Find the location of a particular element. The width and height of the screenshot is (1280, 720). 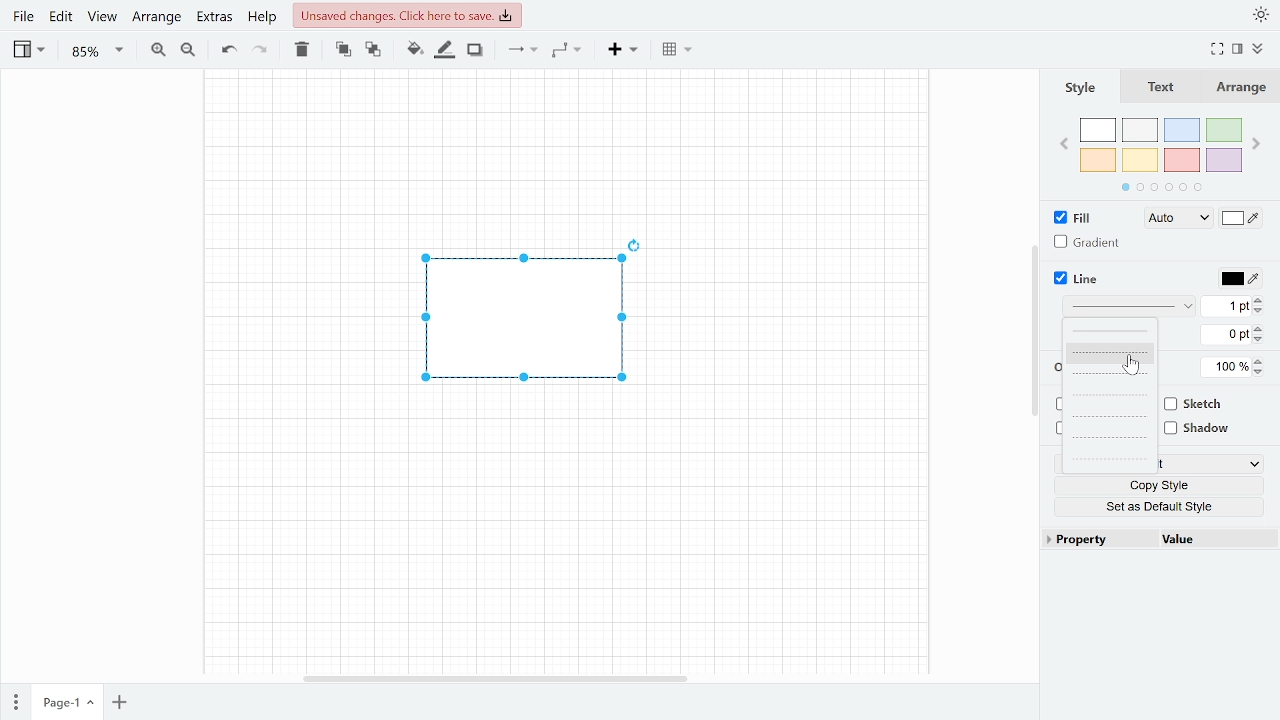

simple is located at coordinates (1111, 332).